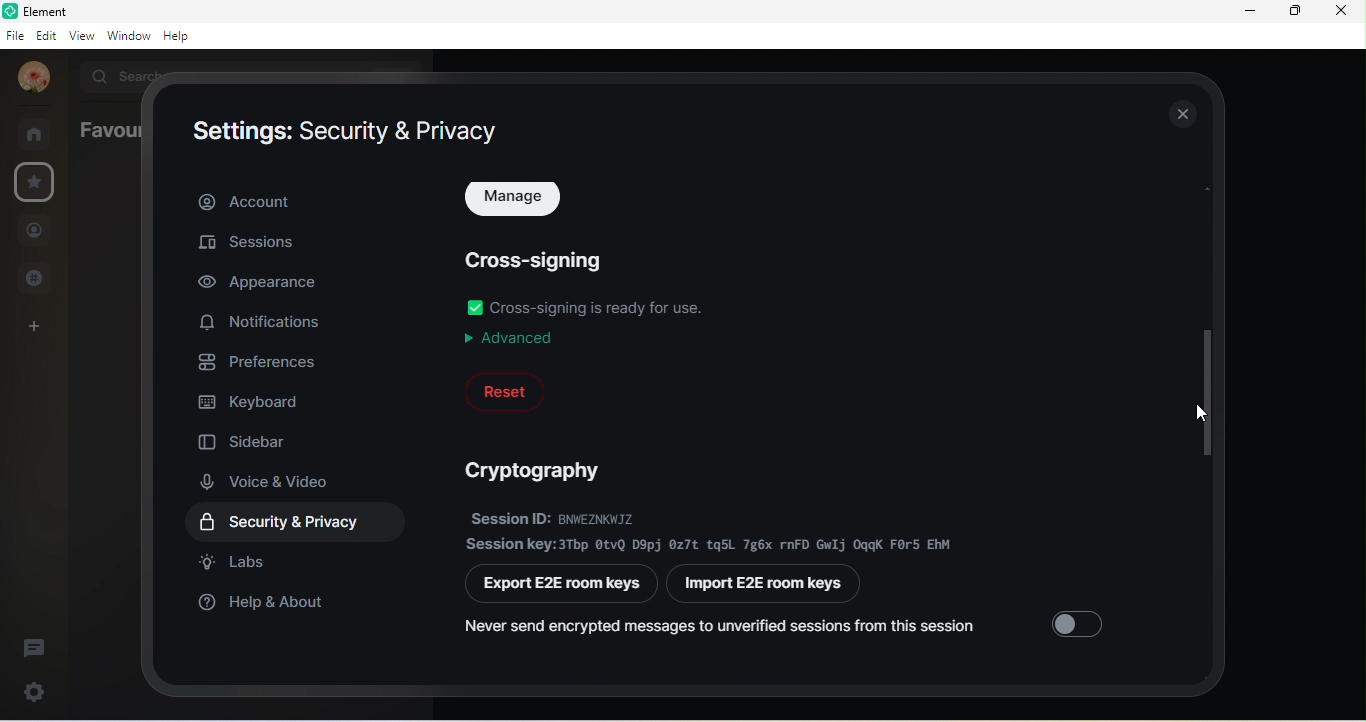  Describe the element at coordinates (1292, 12) in the screenshot. I see `maximize` at that location.